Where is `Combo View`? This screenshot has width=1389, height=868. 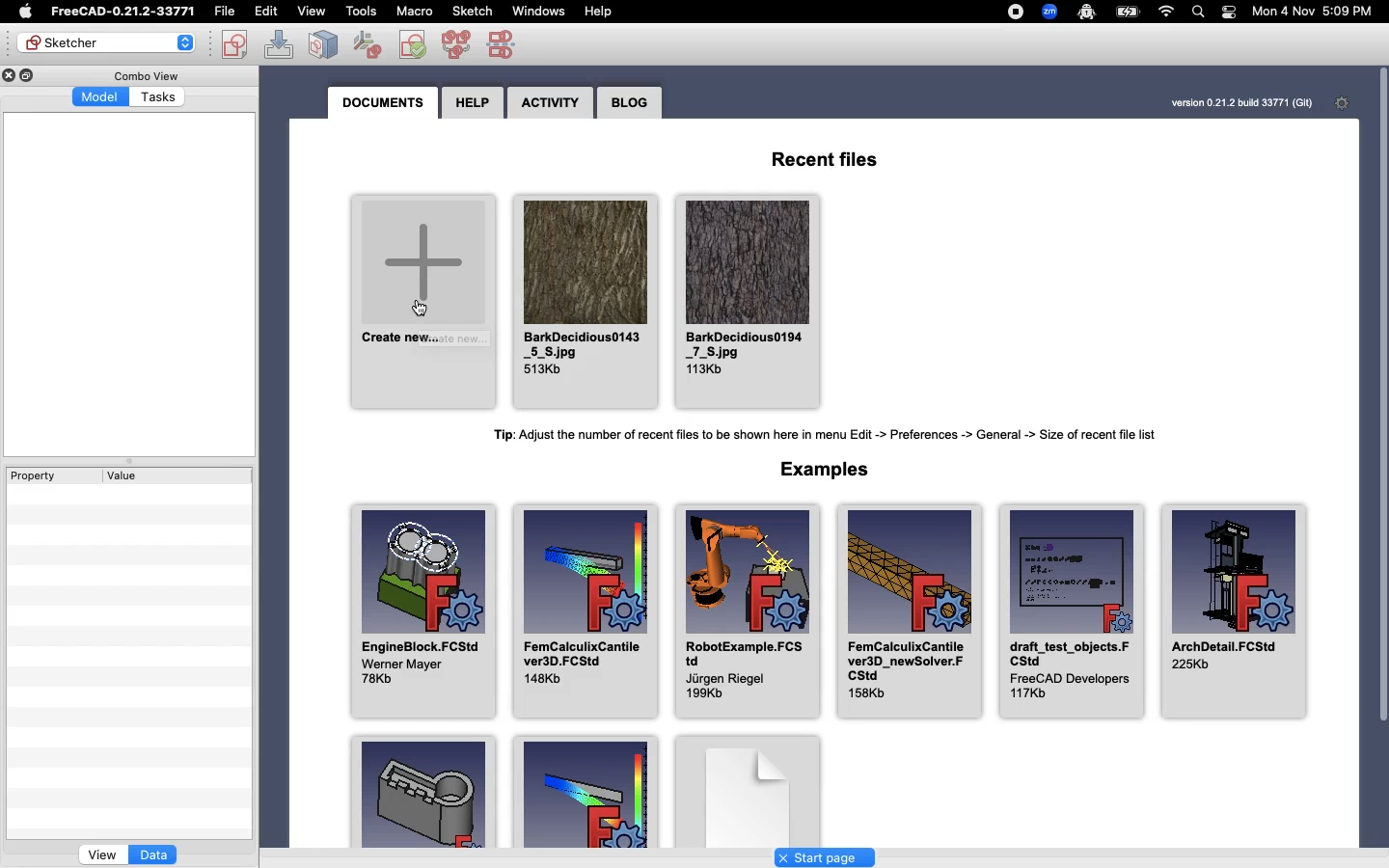
Combo View is located at coordinates (147, 75).